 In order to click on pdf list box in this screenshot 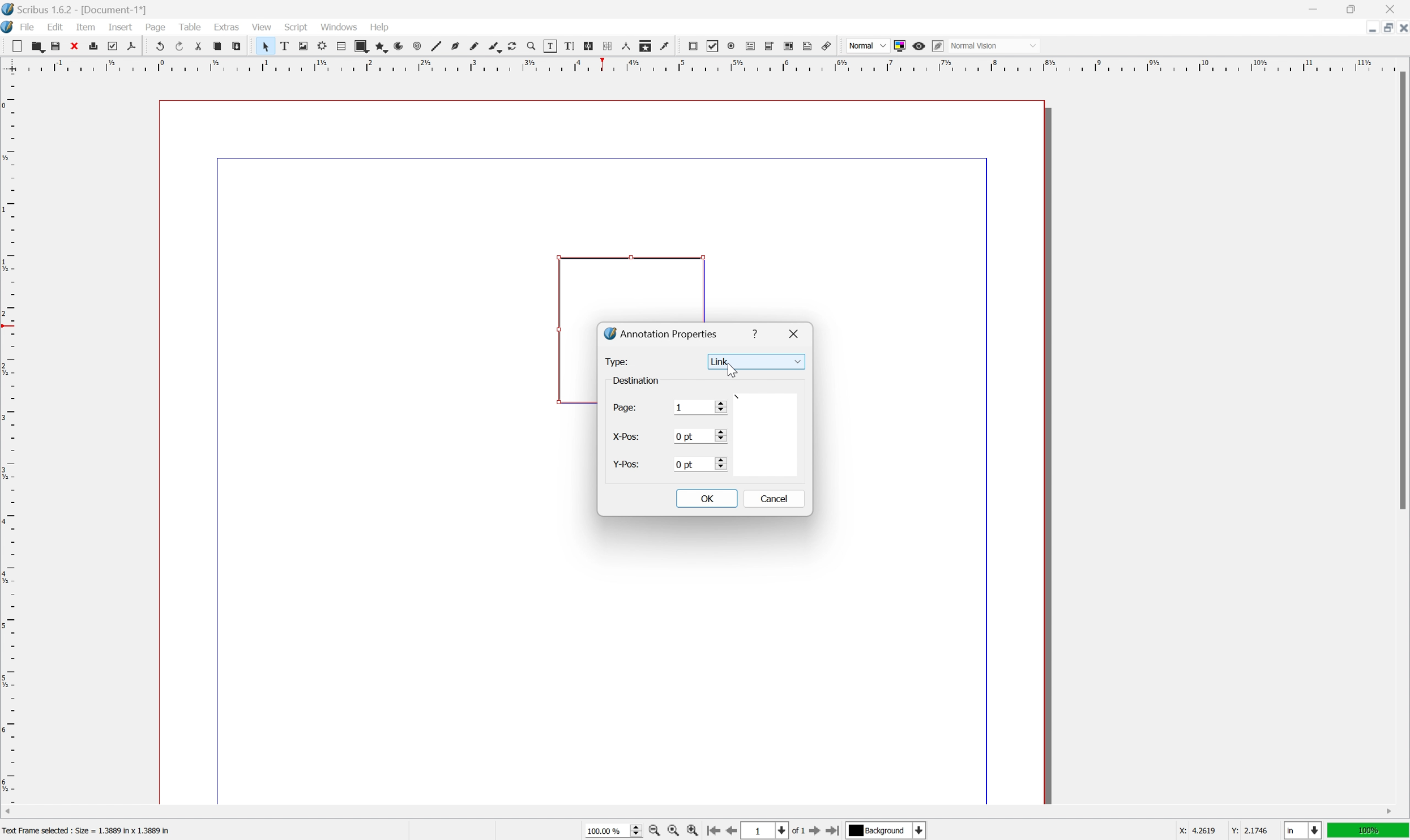, I will do `click(790, 45)`.